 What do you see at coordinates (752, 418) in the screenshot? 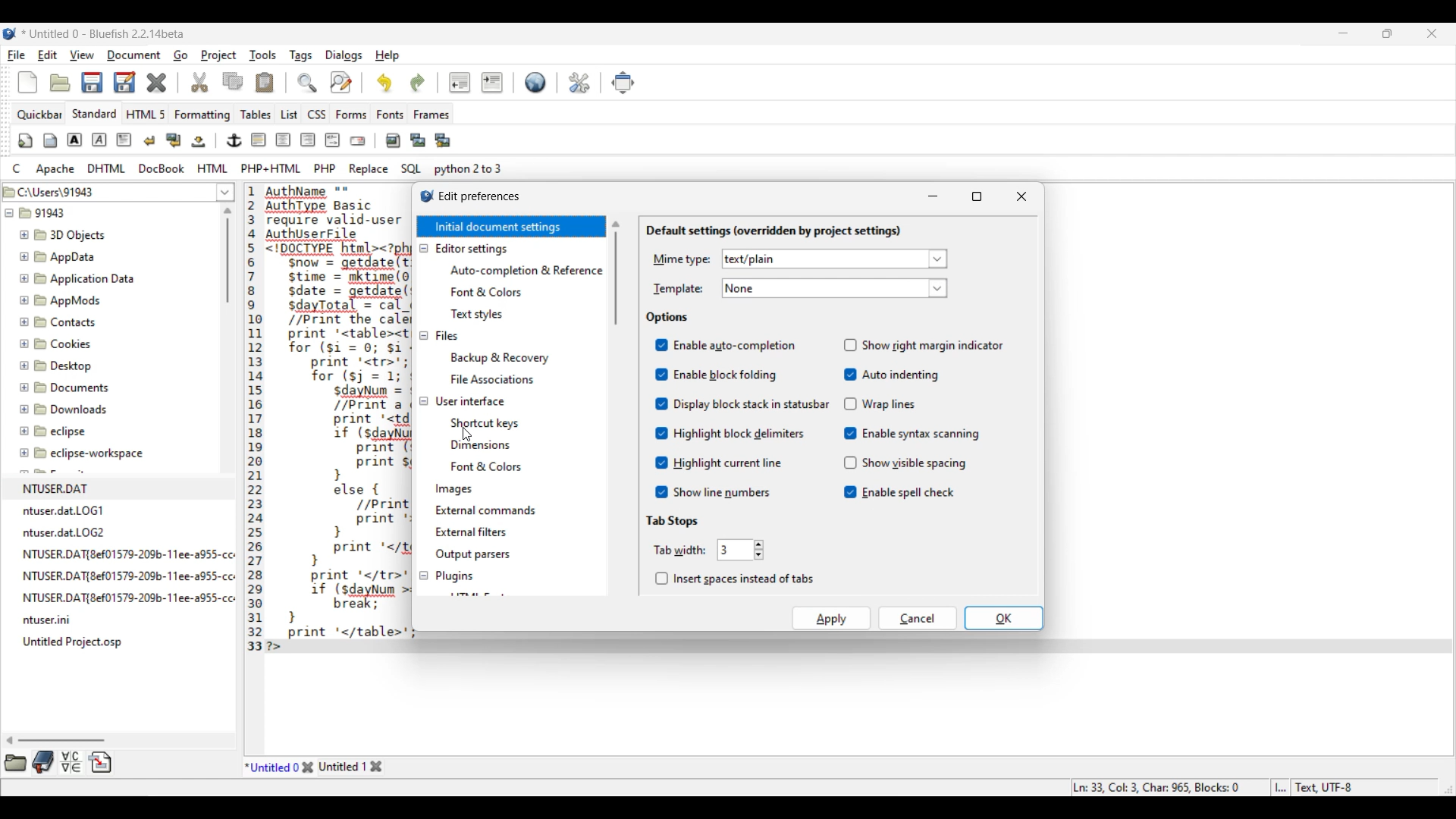
I see `Toggle options` at bounding box center [752, 418].